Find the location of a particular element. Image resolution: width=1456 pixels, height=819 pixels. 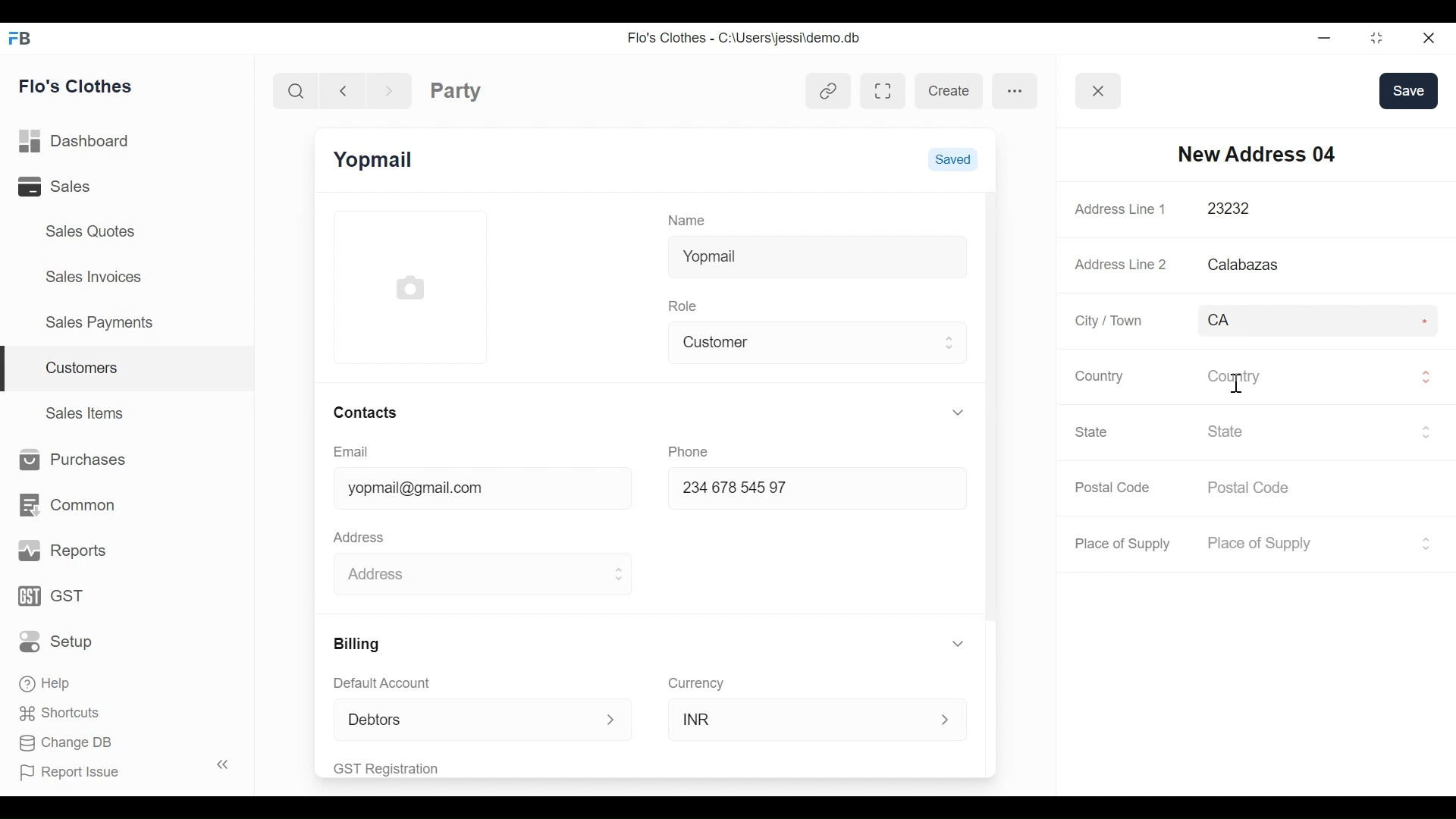

Expand is located at coordinates (1425, 543).